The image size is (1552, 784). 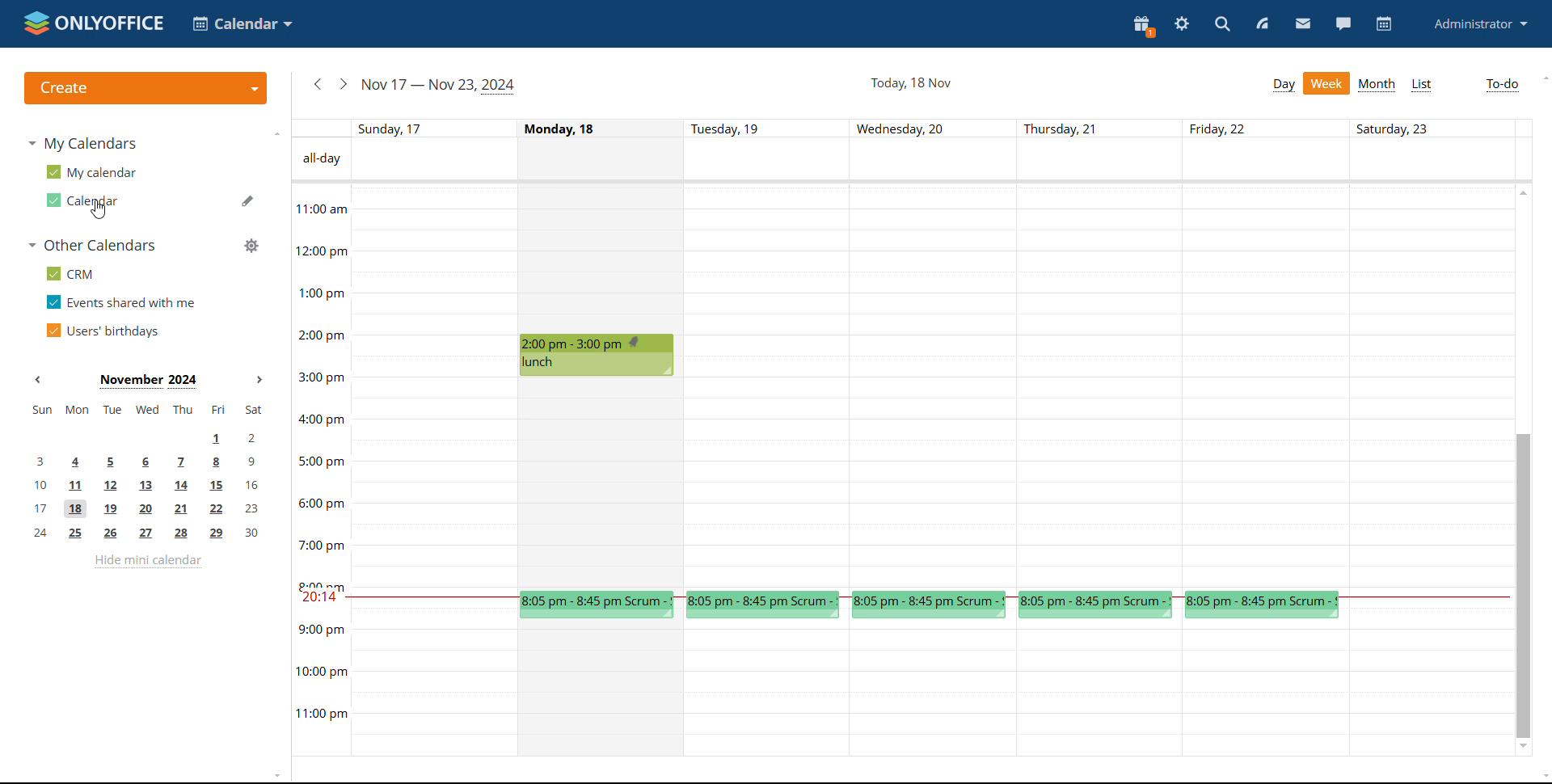 I want to click on collapse, so click(x=277, y=134).